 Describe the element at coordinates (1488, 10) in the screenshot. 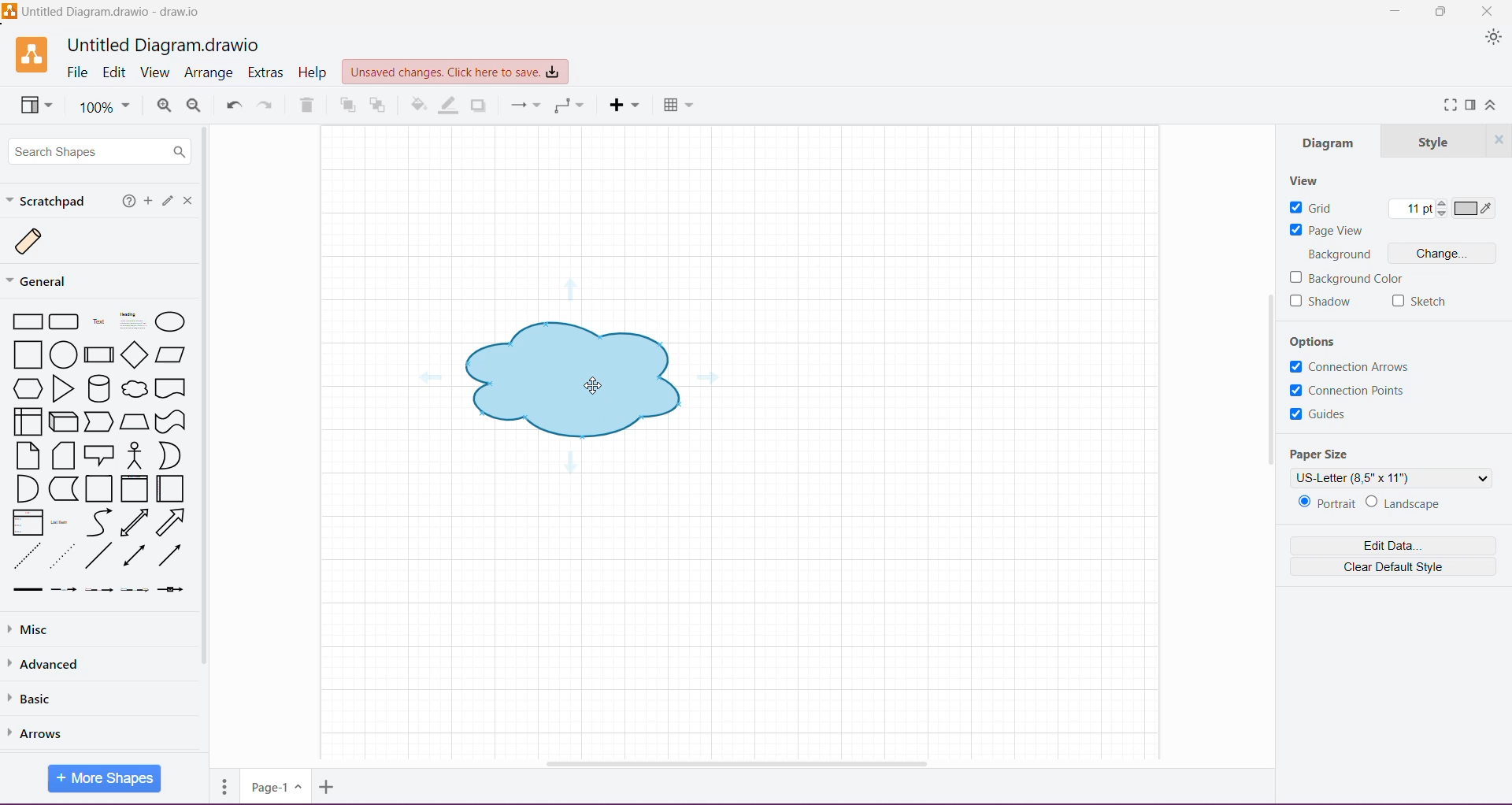

I see `Close` at that location.